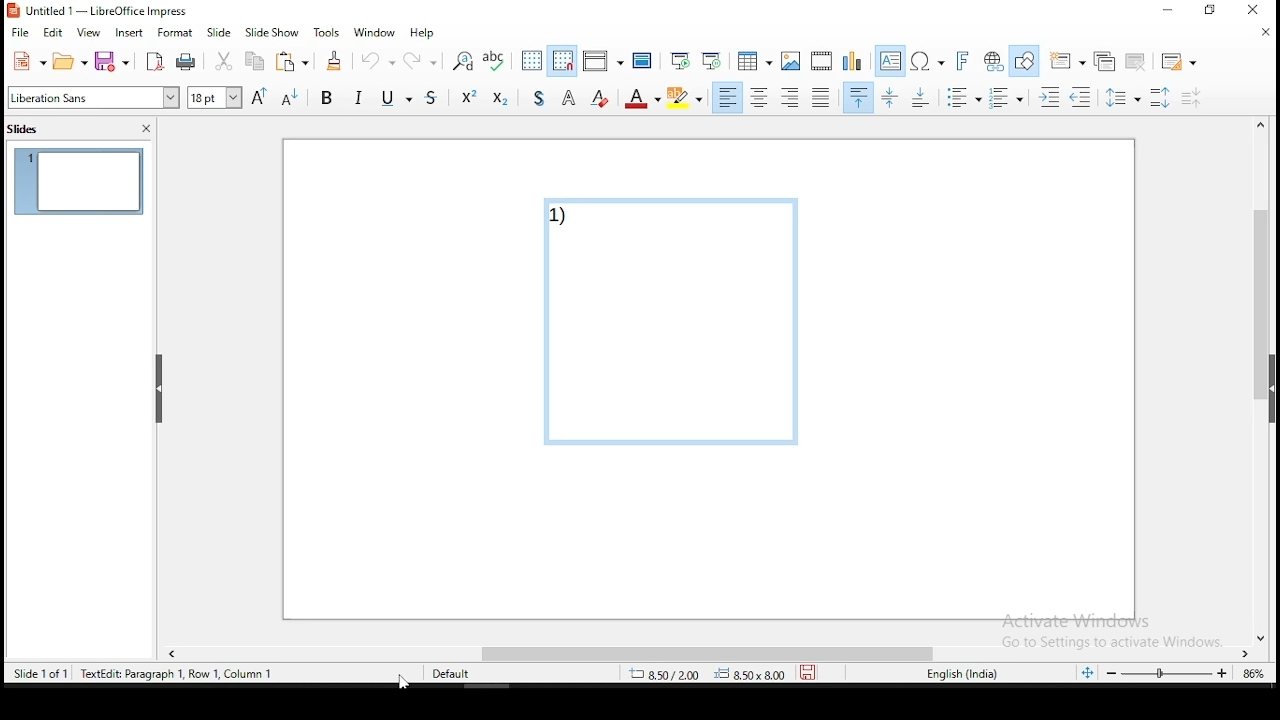 Image resolution: width=1280 pixels, height=720 pixels. I want to click on bold, so click(328, 101).